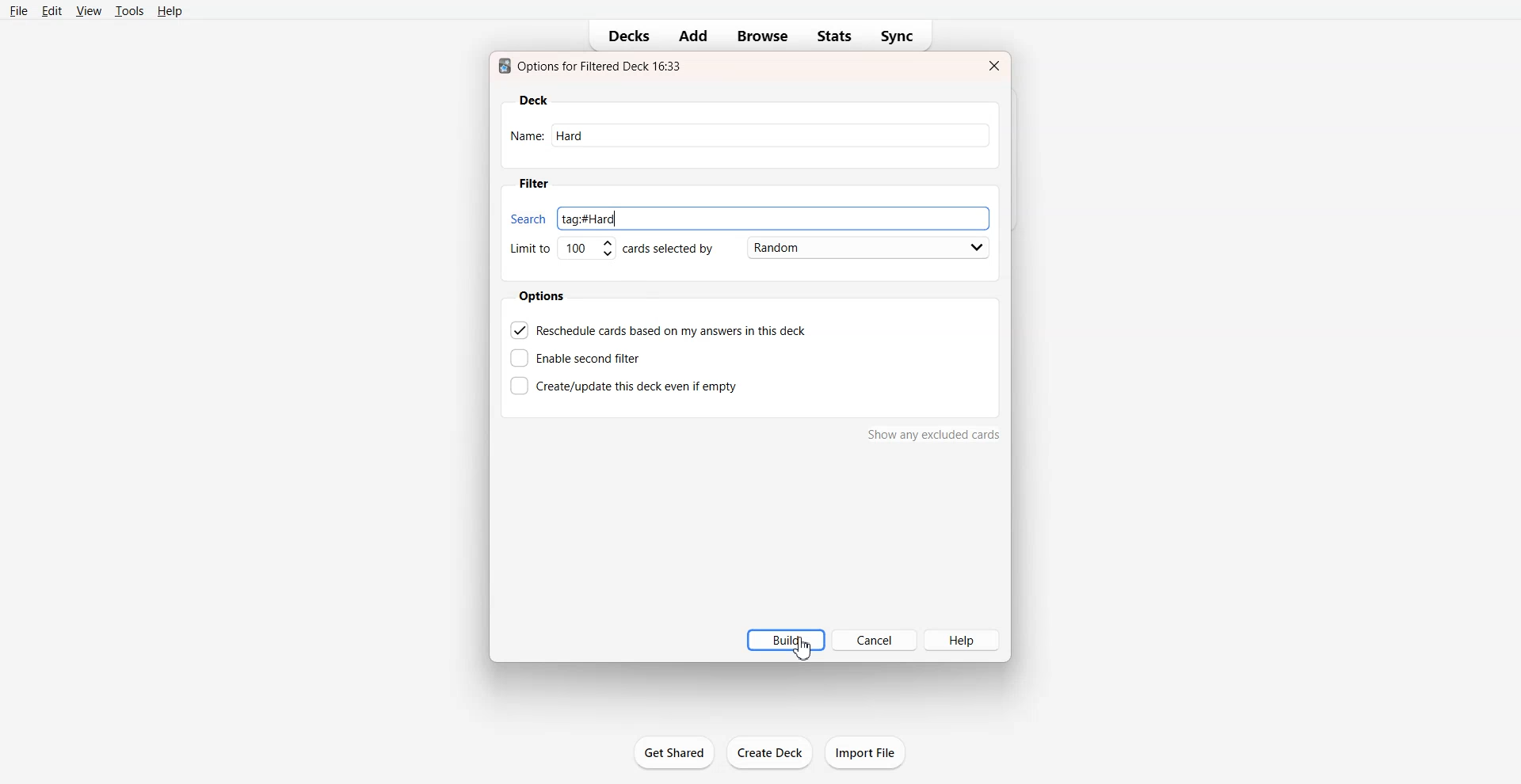 This screenshot has height=784, width=1521. What do you see at coordinates (874, 640) in the screenshot?
I see `Cancel` at bounding box center [874, 640].